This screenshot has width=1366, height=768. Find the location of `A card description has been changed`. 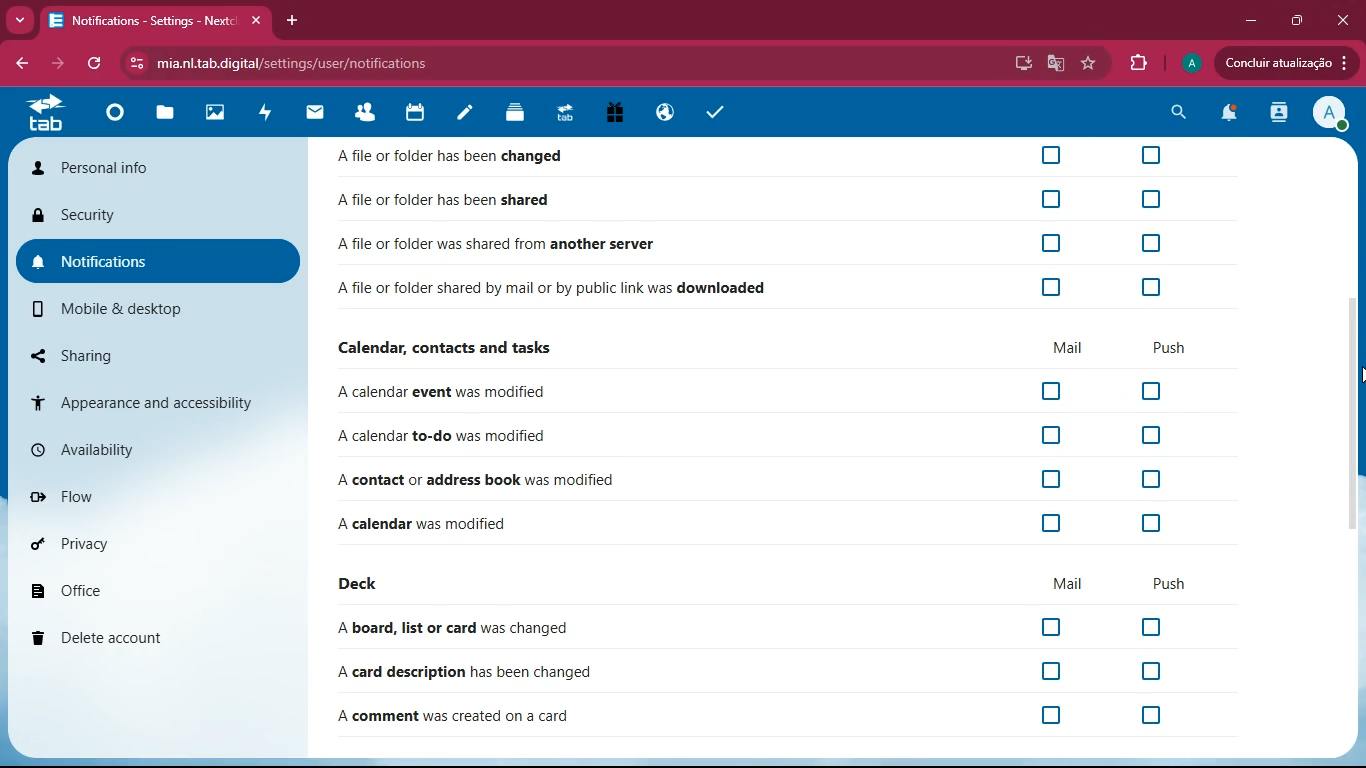

A card description has been changed is located at coordinates (465, 672).